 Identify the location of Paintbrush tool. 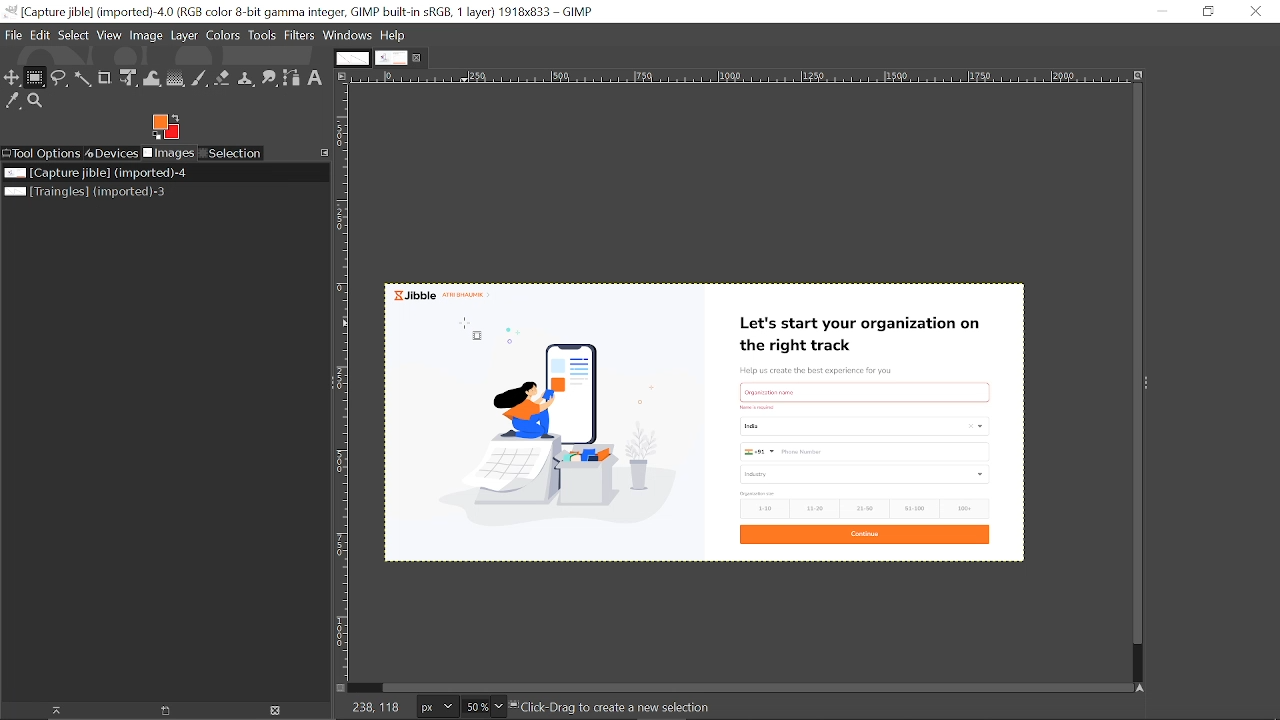
(201, 77).